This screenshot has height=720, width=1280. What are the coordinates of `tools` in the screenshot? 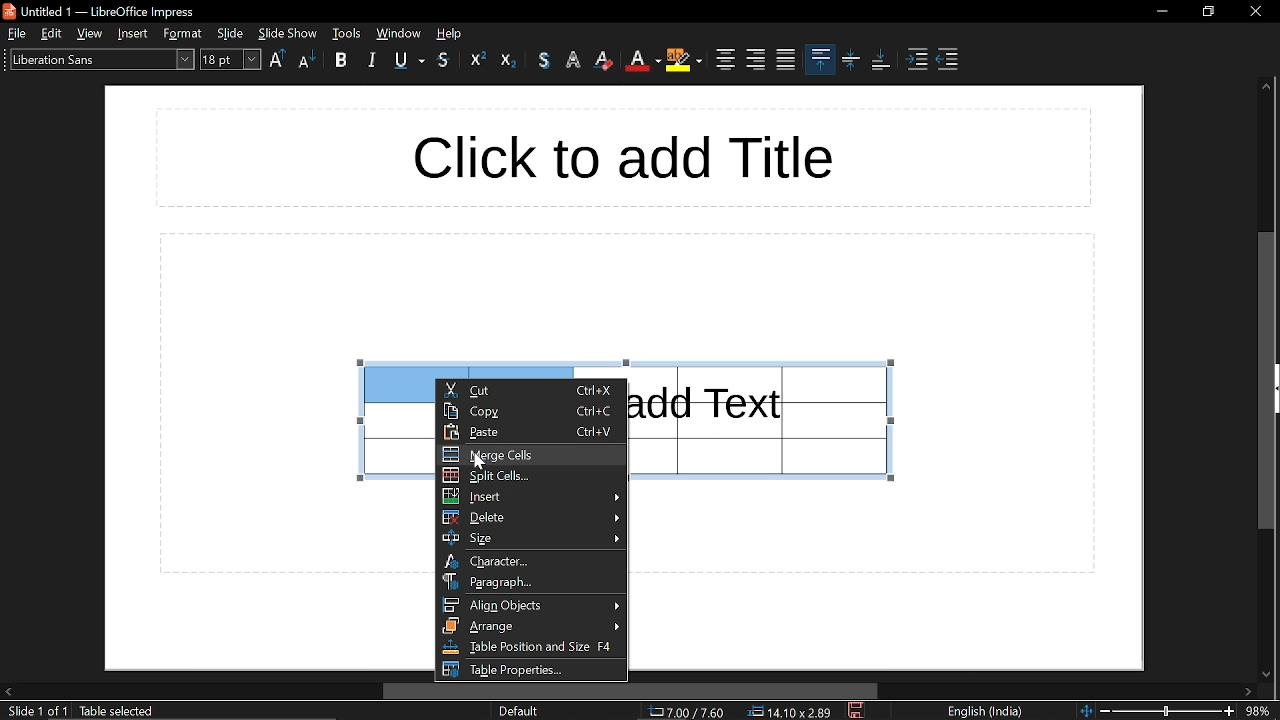 It's located at (398, 33).